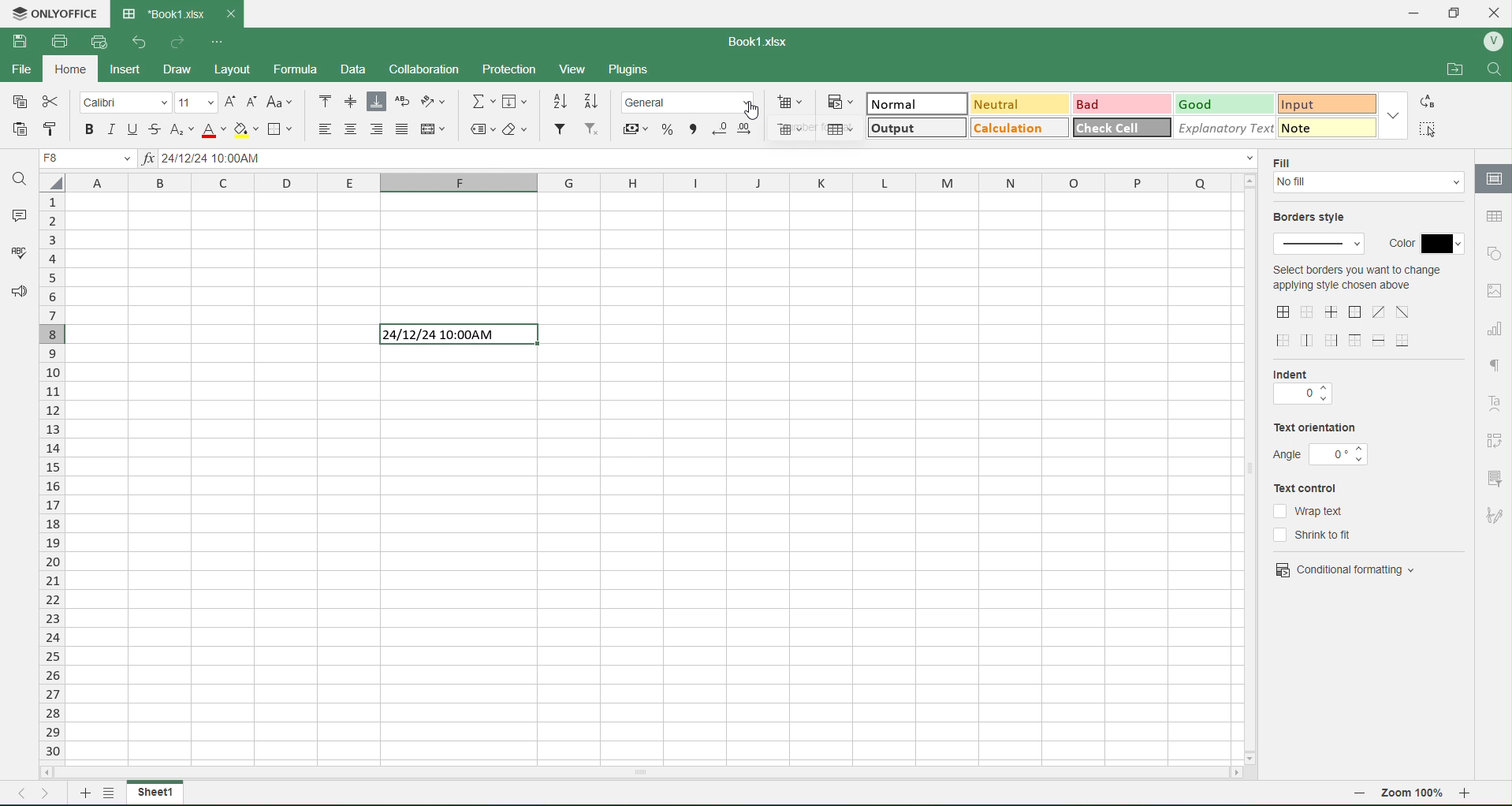  Describe the element at coordinates (791, 130) in the screenshot. I see `Delete Cells` at that location.